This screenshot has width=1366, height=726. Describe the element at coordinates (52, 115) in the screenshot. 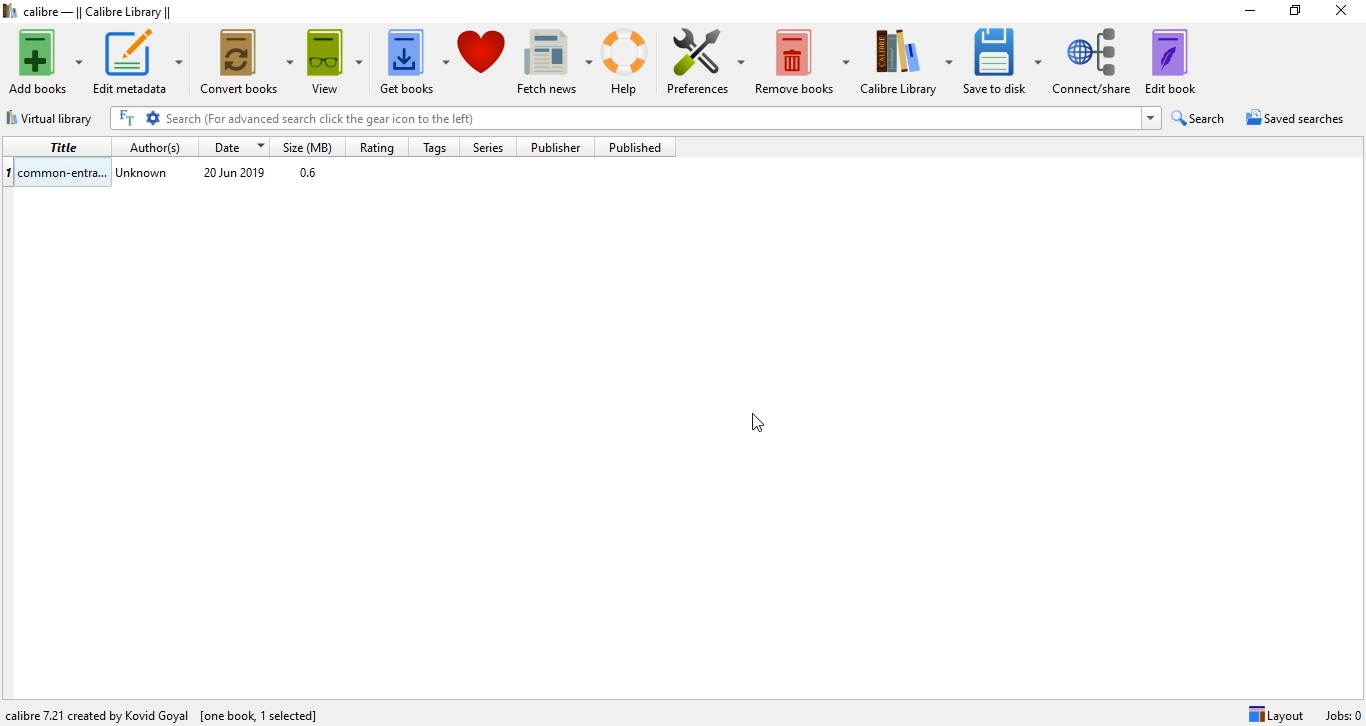

I see `Virtual library` at that location.